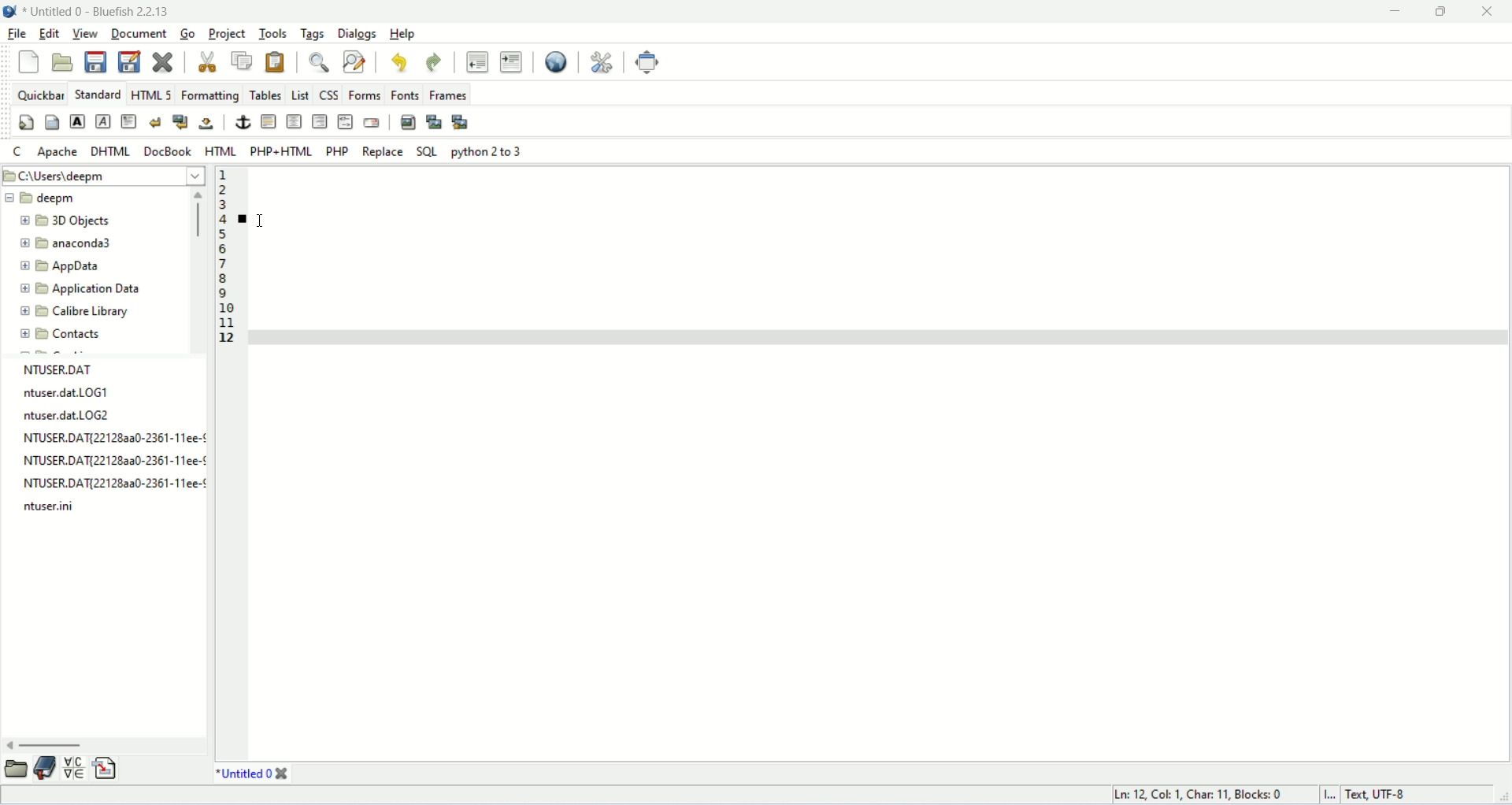 The width and height of the screenshot is (1512, 805). I want to click on CSS, so click(330, 94).